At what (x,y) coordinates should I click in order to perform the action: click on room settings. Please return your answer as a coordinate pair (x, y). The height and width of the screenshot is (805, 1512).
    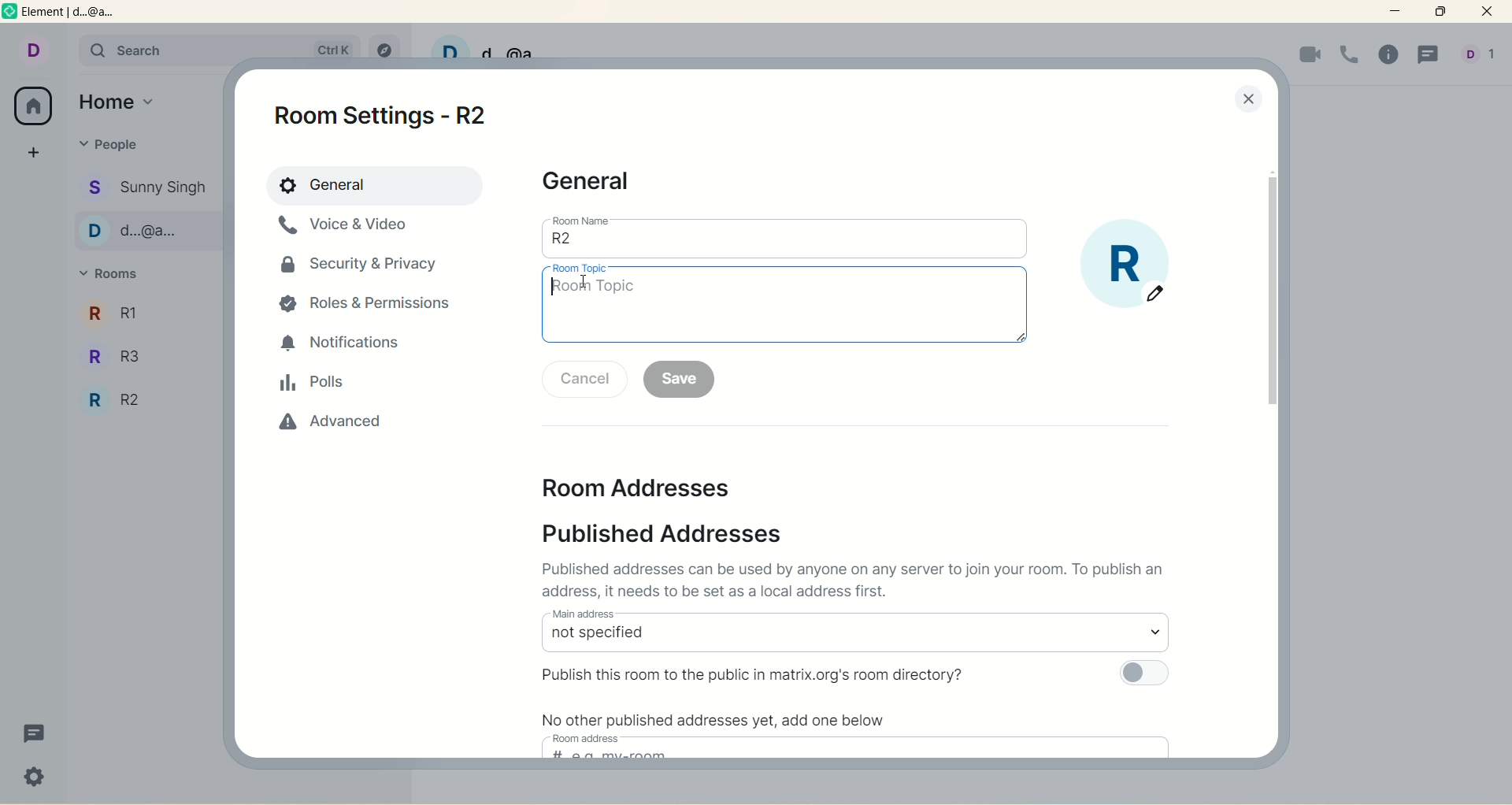
    Looking at the image, I should click on (391, 114).